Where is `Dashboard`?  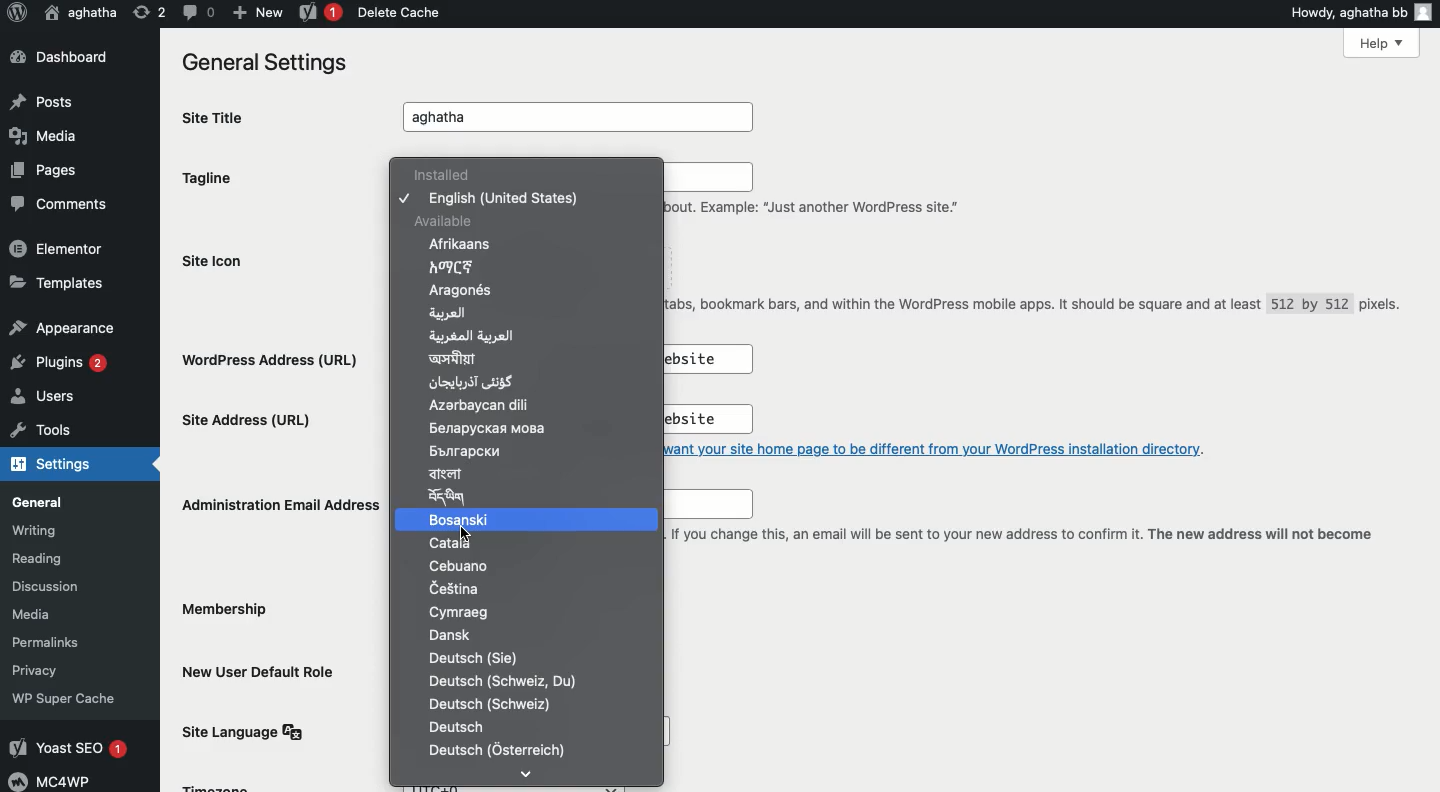 Dashboard is located at coordinates (57, 56).